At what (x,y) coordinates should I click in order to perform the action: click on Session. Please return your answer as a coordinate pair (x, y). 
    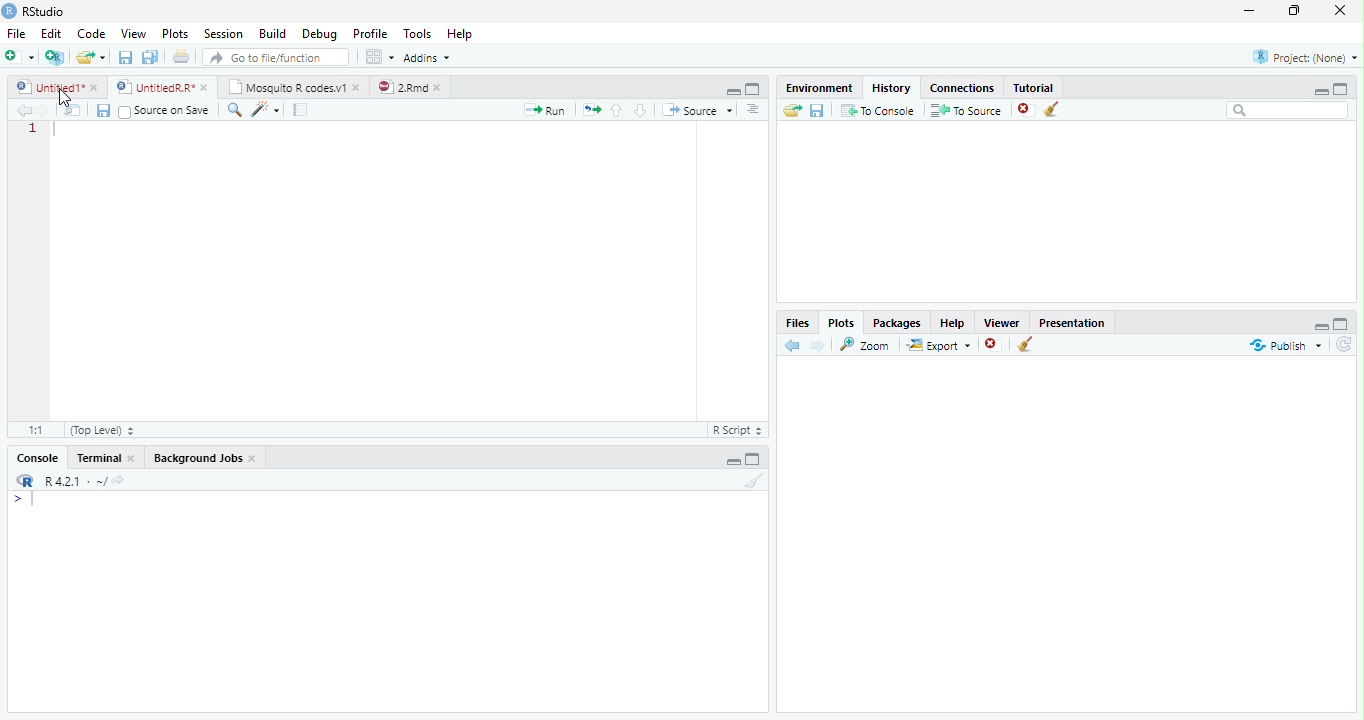
    Looking at the image, I should click on (222, 33).